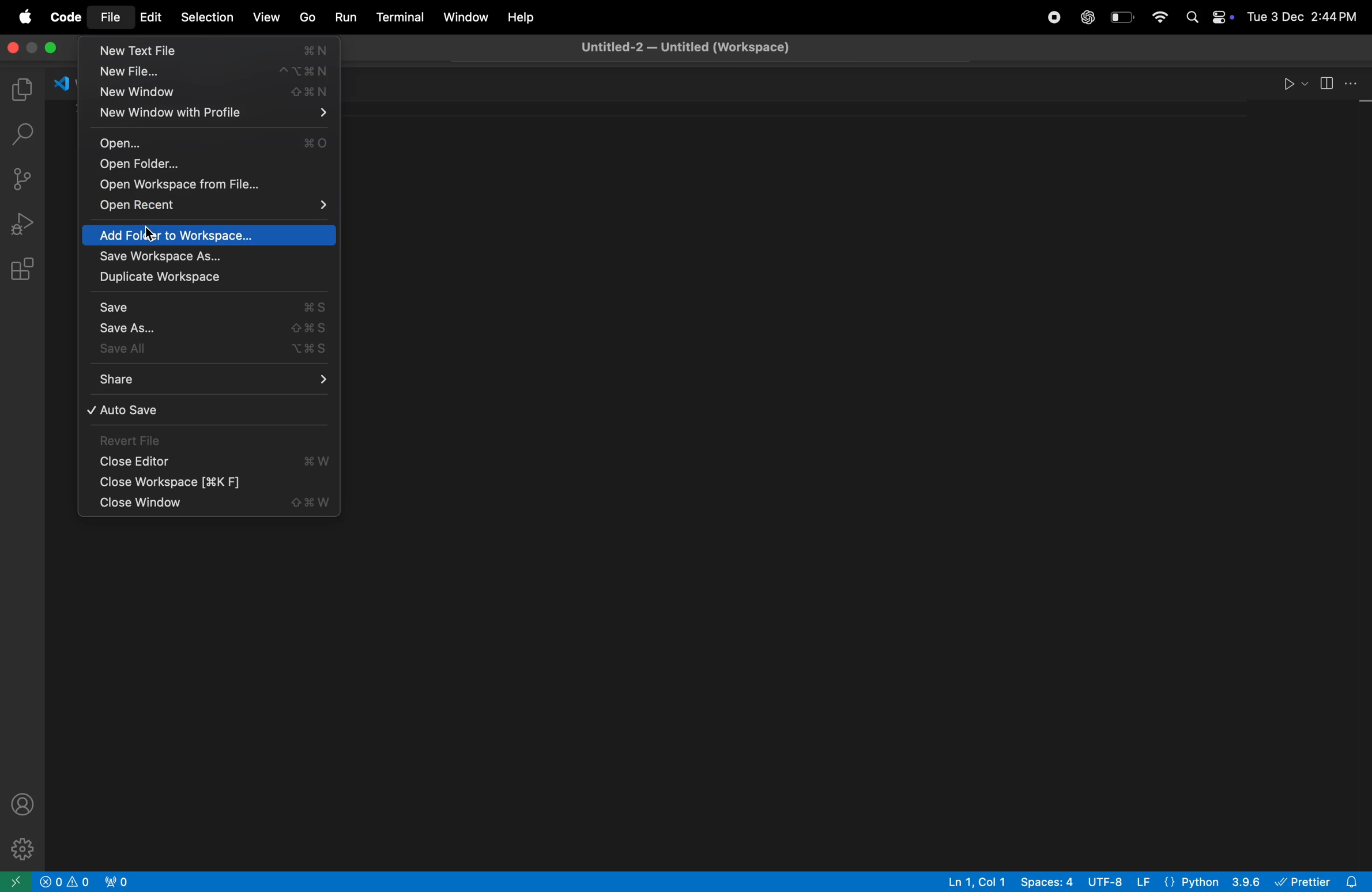 The width and height of the screenshot is (1372, 892). What do you see at coordinates (207, 277) in the screenshot?
I see `duplicate work space as` at bounding box center [207, 277].